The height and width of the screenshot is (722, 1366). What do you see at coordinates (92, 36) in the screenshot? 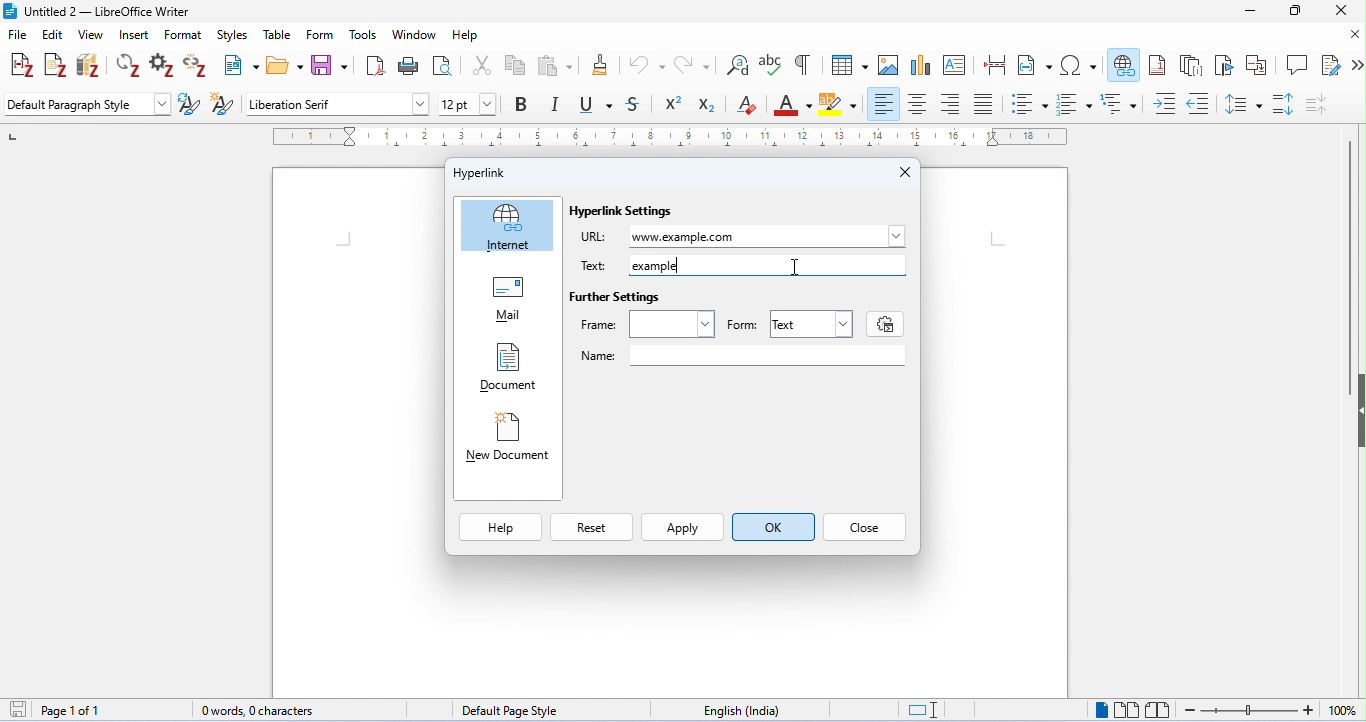
I see `view` at bounding box center [92, 36].